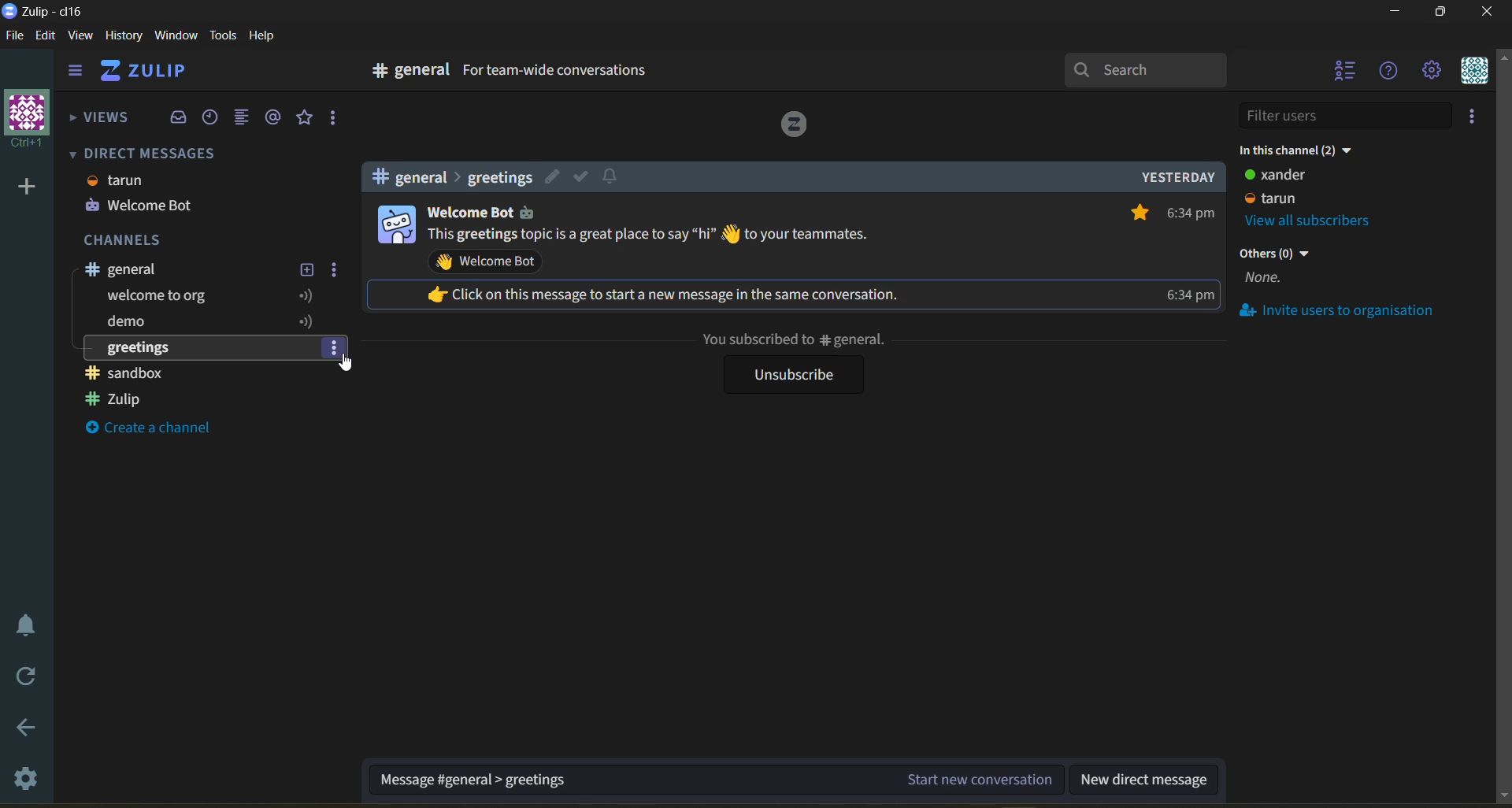  What do you see at coordinates (334, 350) in the screenshot?
I see `settings` at bounding box center [334, 350].